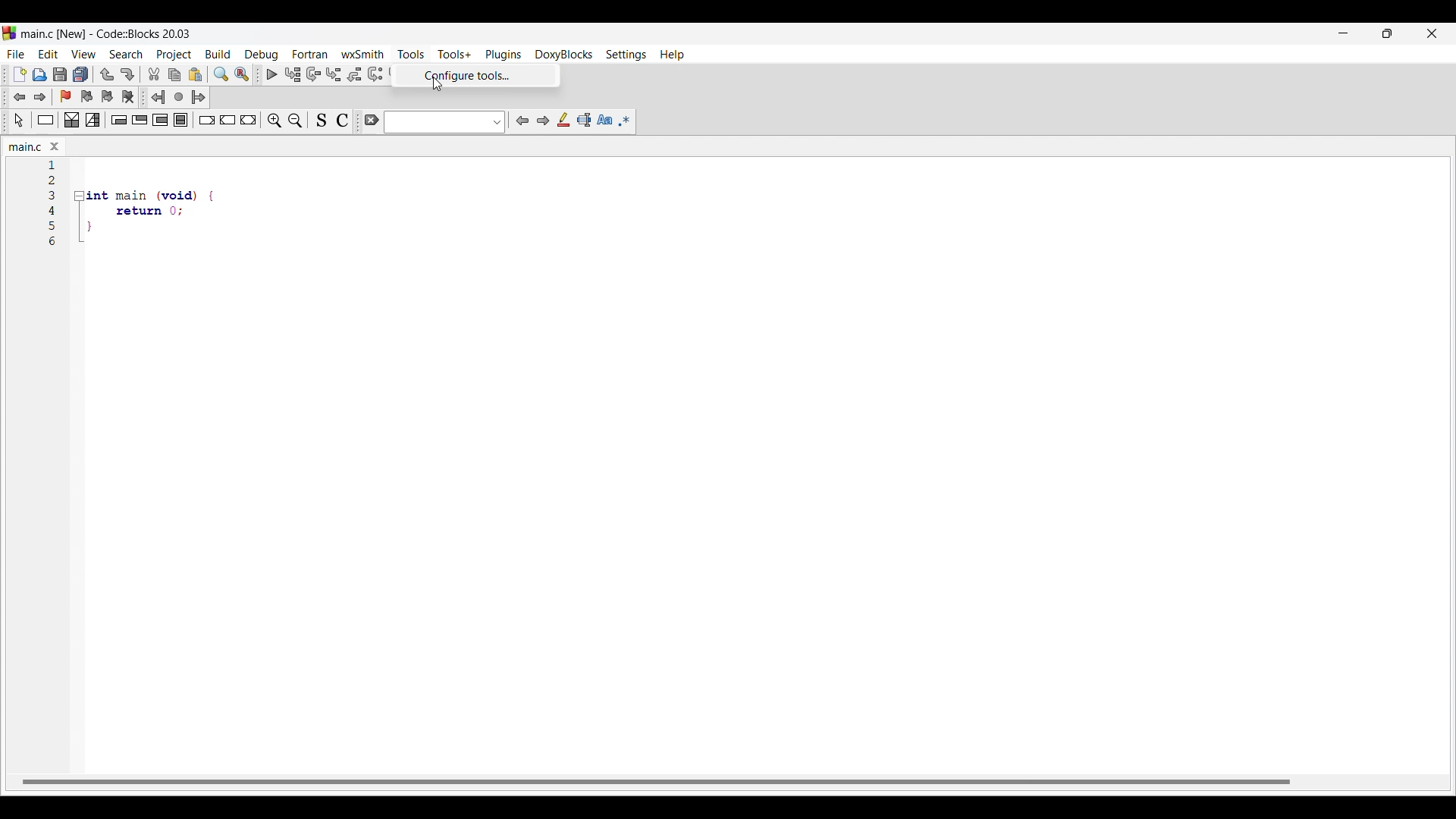 This screenshot has height=819, width=1456. What do you see at coordinates (199, 97) in the screenshot?
I see `Jump forward` at bounding box center [199, 97].